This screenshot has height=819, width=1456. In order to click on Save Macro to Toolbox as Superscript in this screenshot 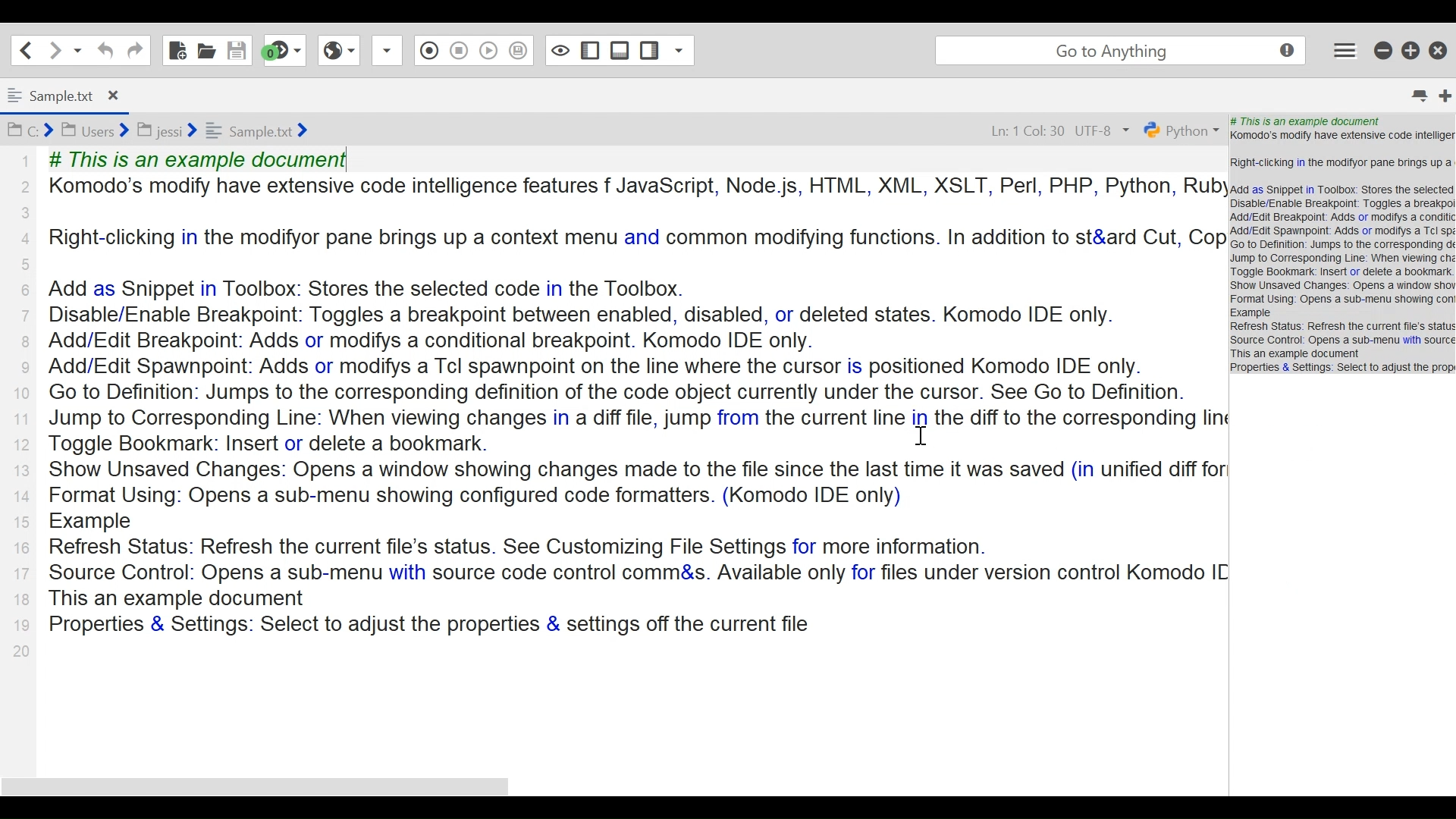, I will do `click(489, 49)`.